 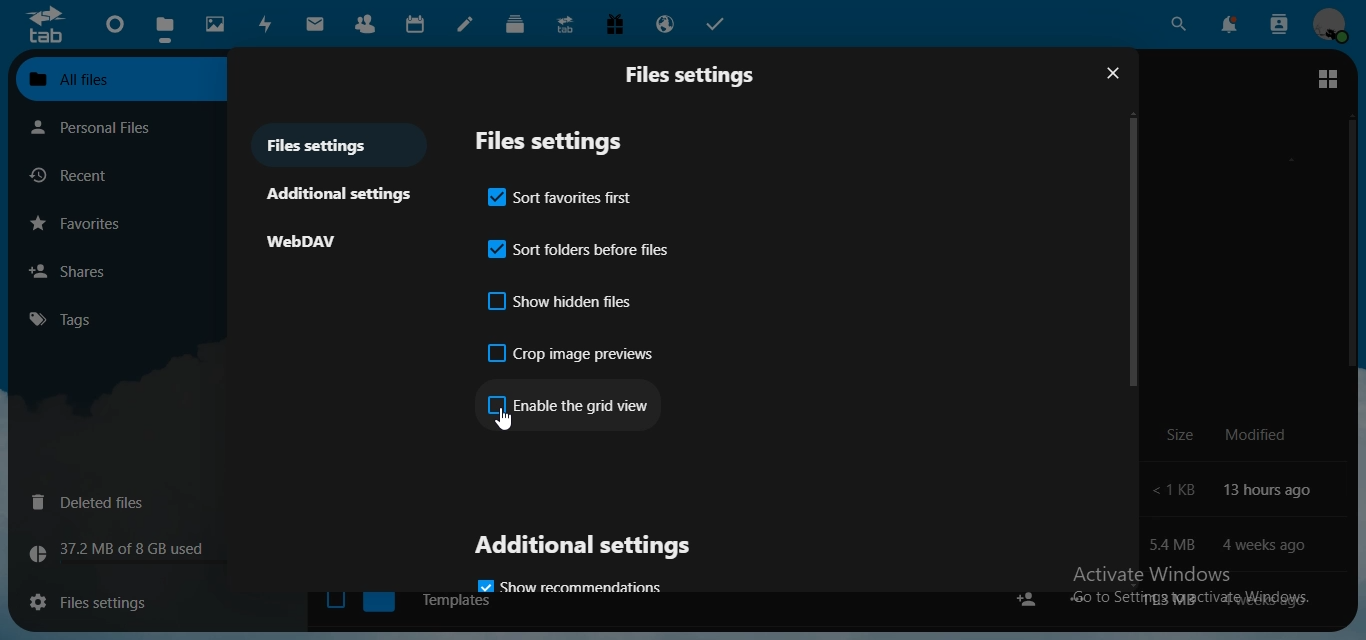 I want to click on free trial, so click(x=616, y=24).